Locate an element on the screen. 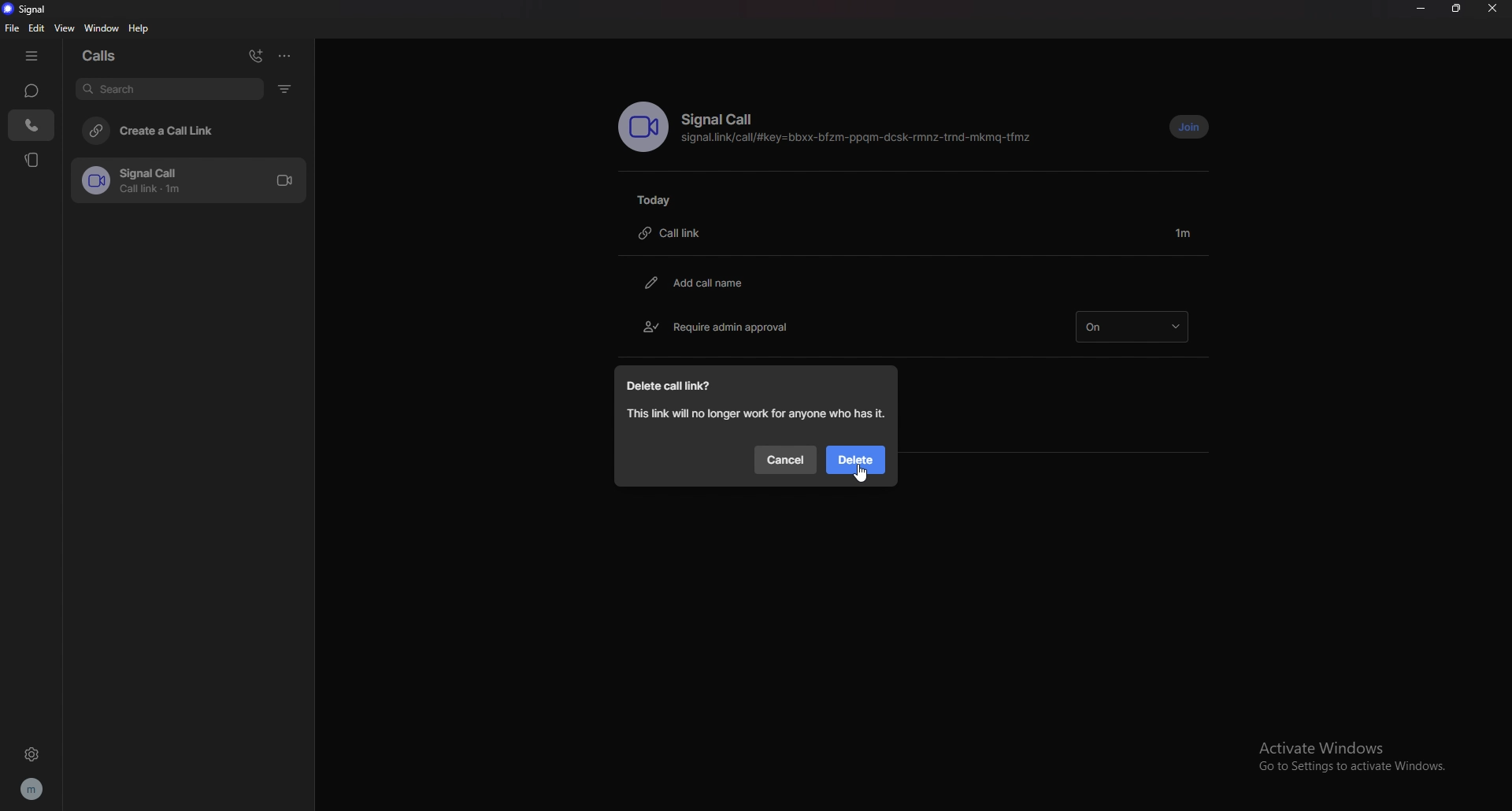  call image is located at coordinates (643, 127).